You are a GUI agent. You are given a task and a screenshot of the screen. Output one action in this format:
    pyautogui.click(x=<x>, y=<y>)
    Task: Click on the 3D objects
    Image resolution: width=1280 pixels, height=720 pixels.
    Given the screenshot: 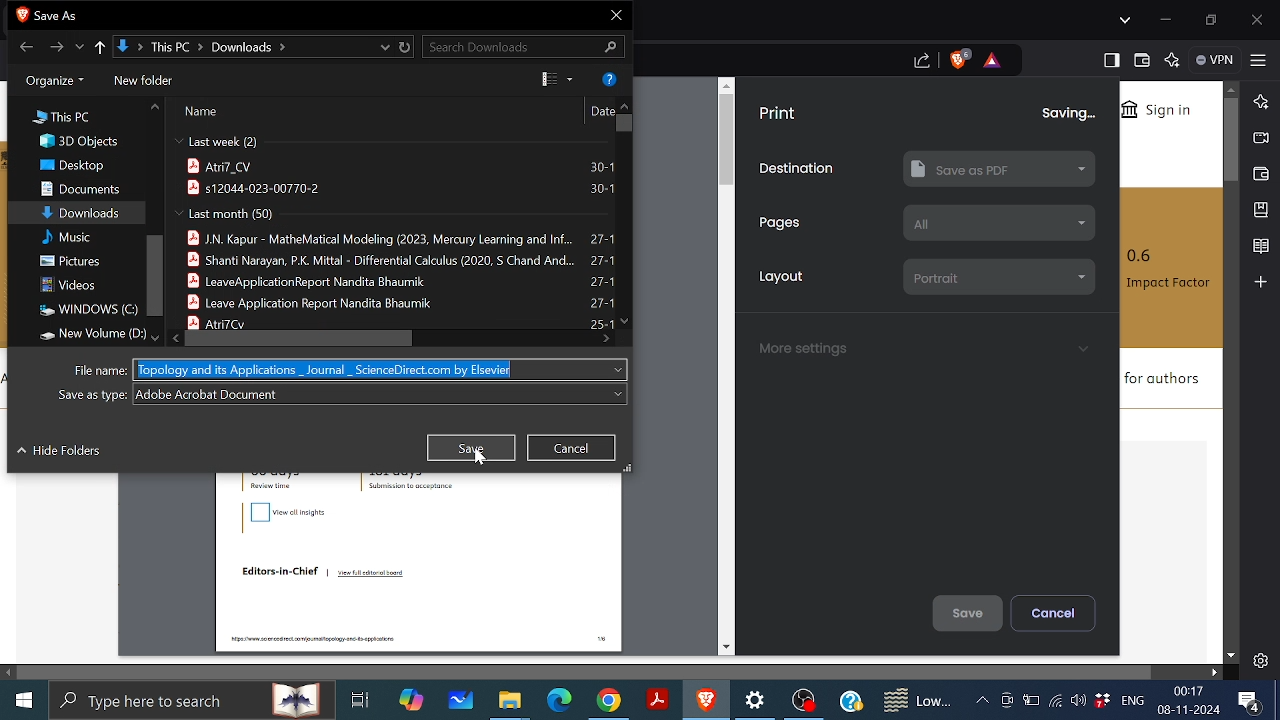 What is the action you would take?
    pyautogui.click(x=81, y=141)
    